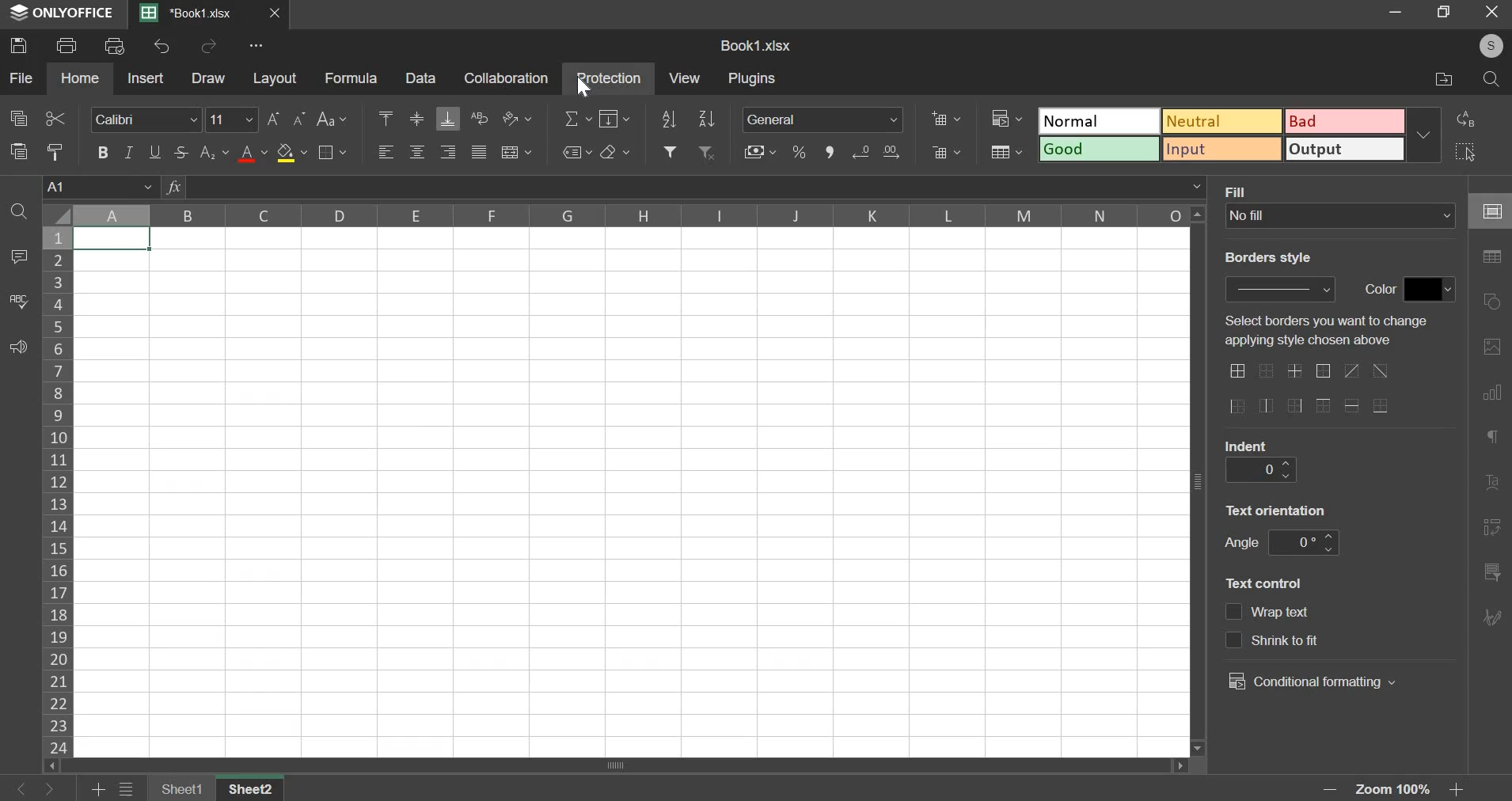  Describe the element at coordinates (112, 239) in the screenshot. I see `selected cell` at that location.